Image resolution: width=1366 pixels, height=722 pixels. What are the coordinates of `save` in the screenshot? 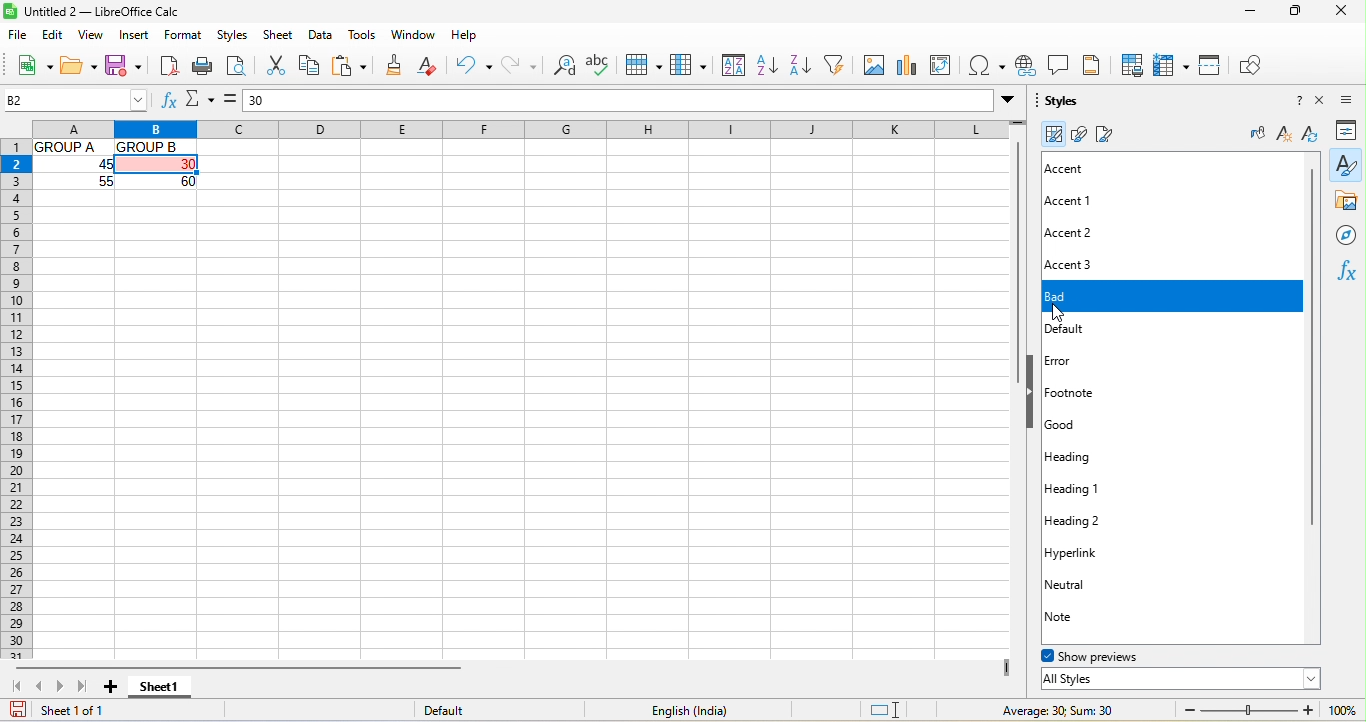 It's located at (124, 65).